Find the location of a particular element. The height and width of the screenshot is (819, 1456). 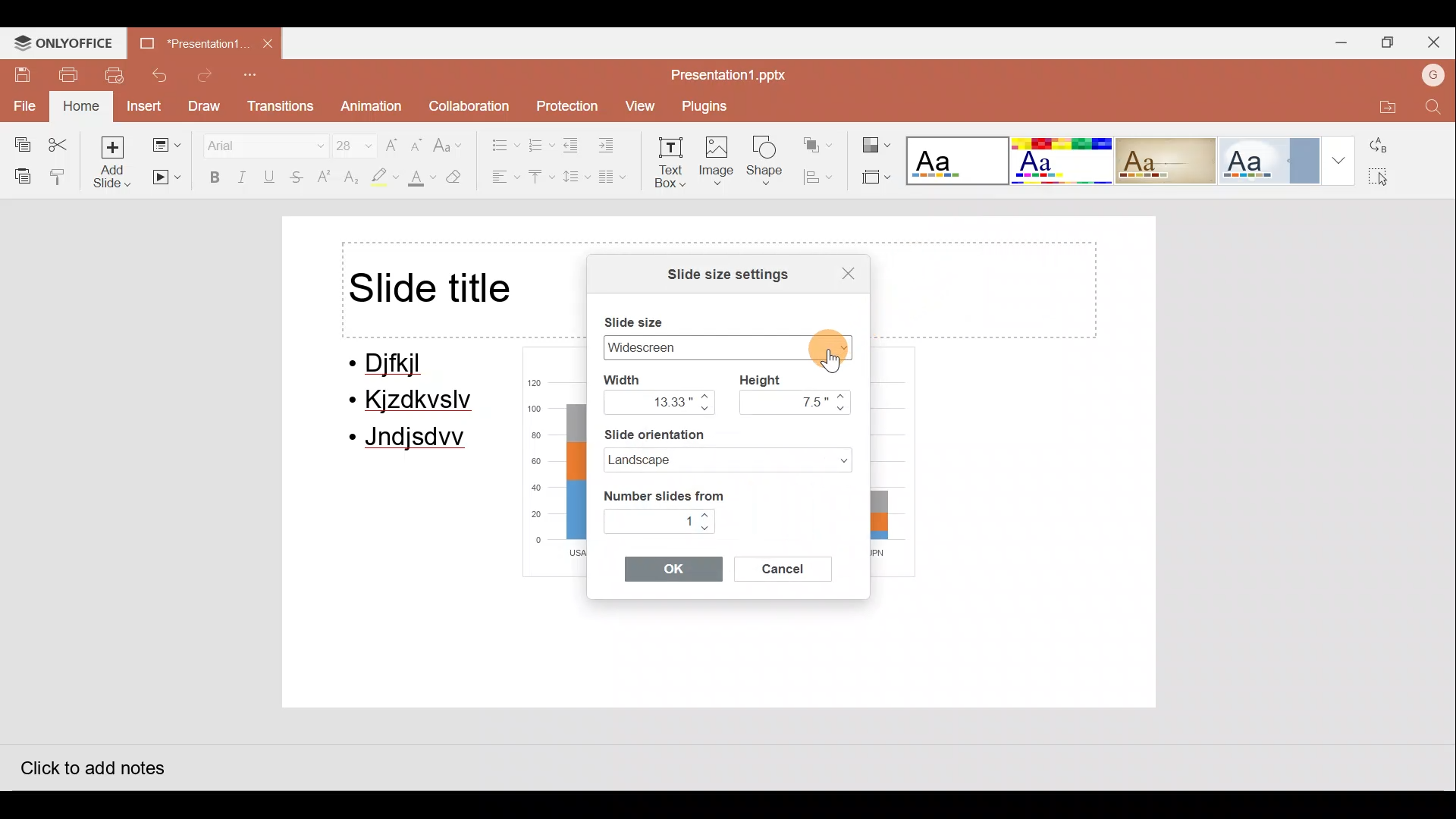

Open file location is located at coordinates (1379, 108).